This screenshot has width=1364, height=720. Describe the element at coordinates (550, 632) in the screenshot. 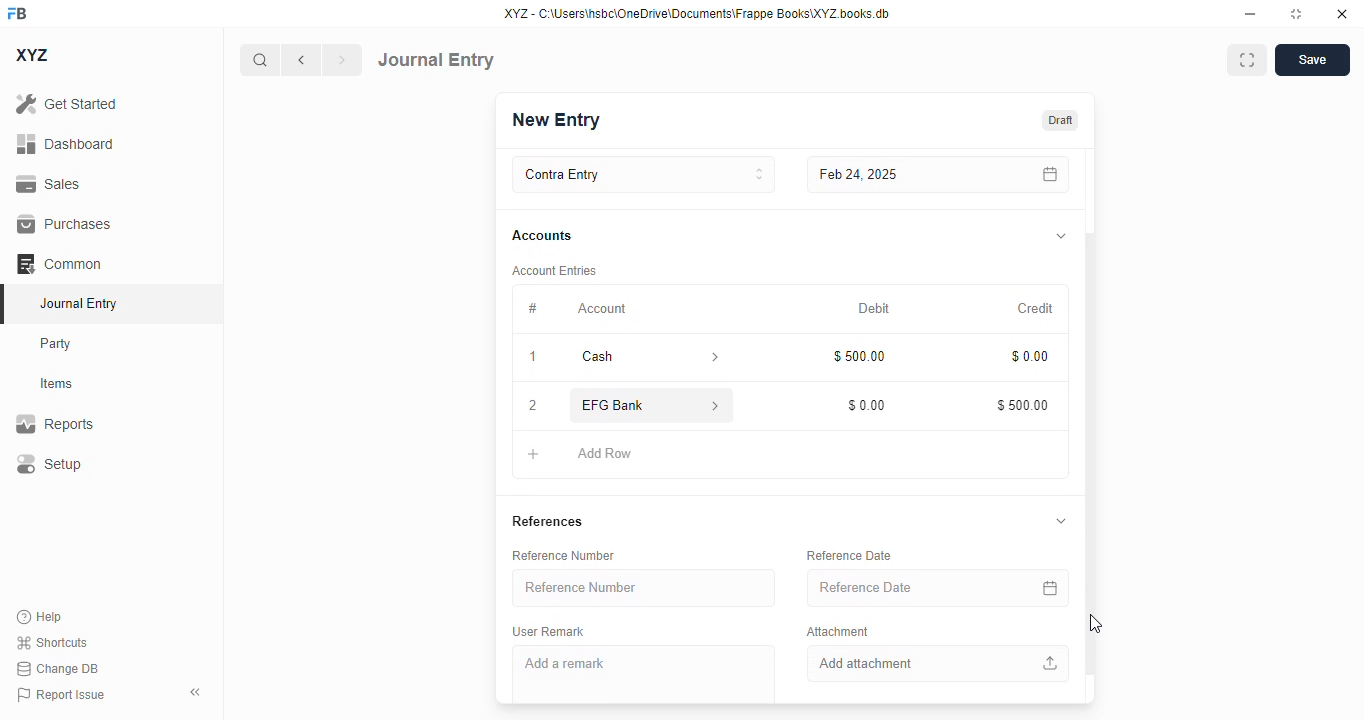

I see `user remark` at that location.